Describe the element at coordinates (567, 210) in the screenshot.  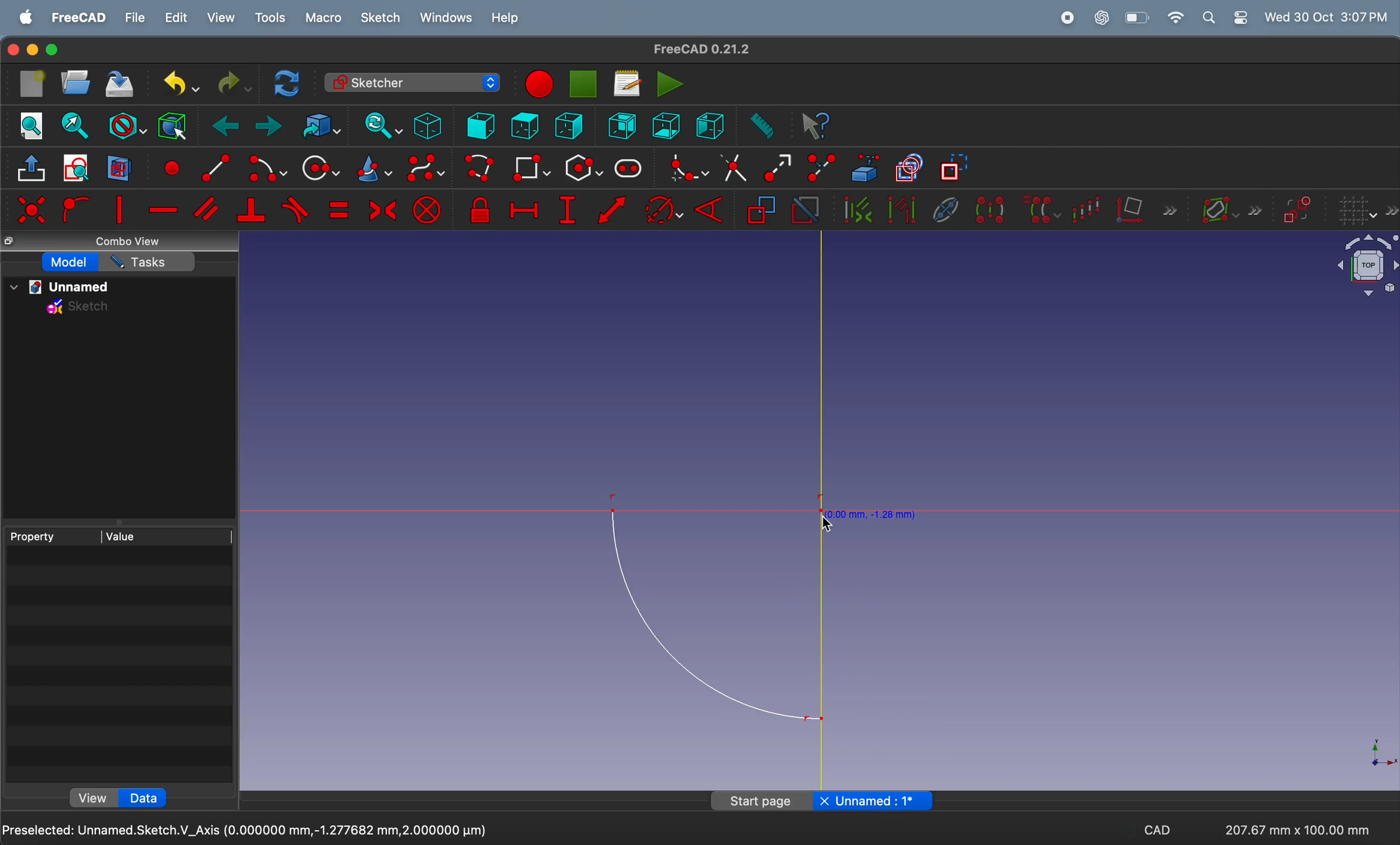
I see `constrain vertical distance` at that location.